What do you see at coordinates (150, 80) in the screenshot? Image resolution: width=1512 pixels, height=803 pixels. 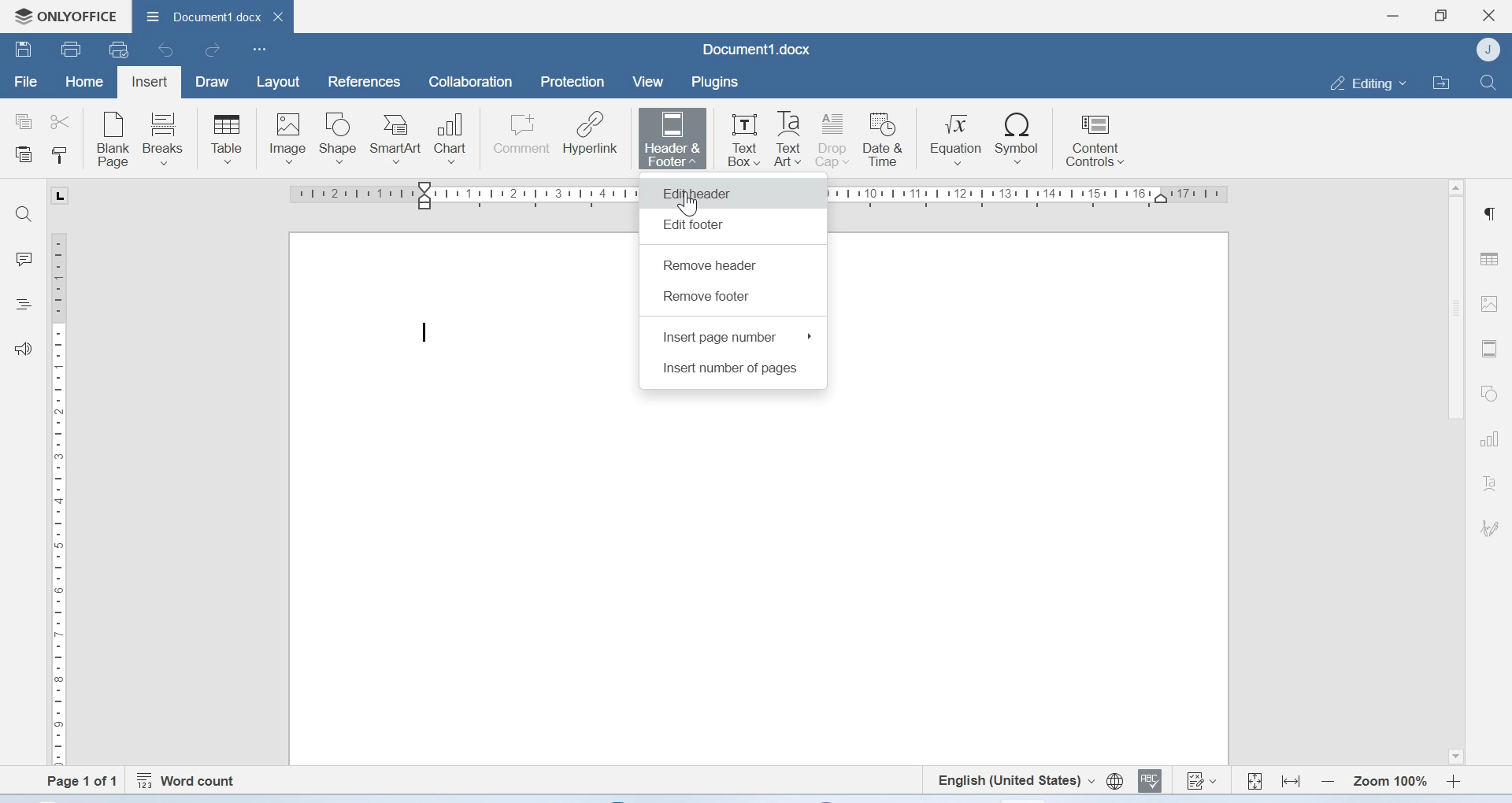 I see `Insert` at bounding box center [150, 80].